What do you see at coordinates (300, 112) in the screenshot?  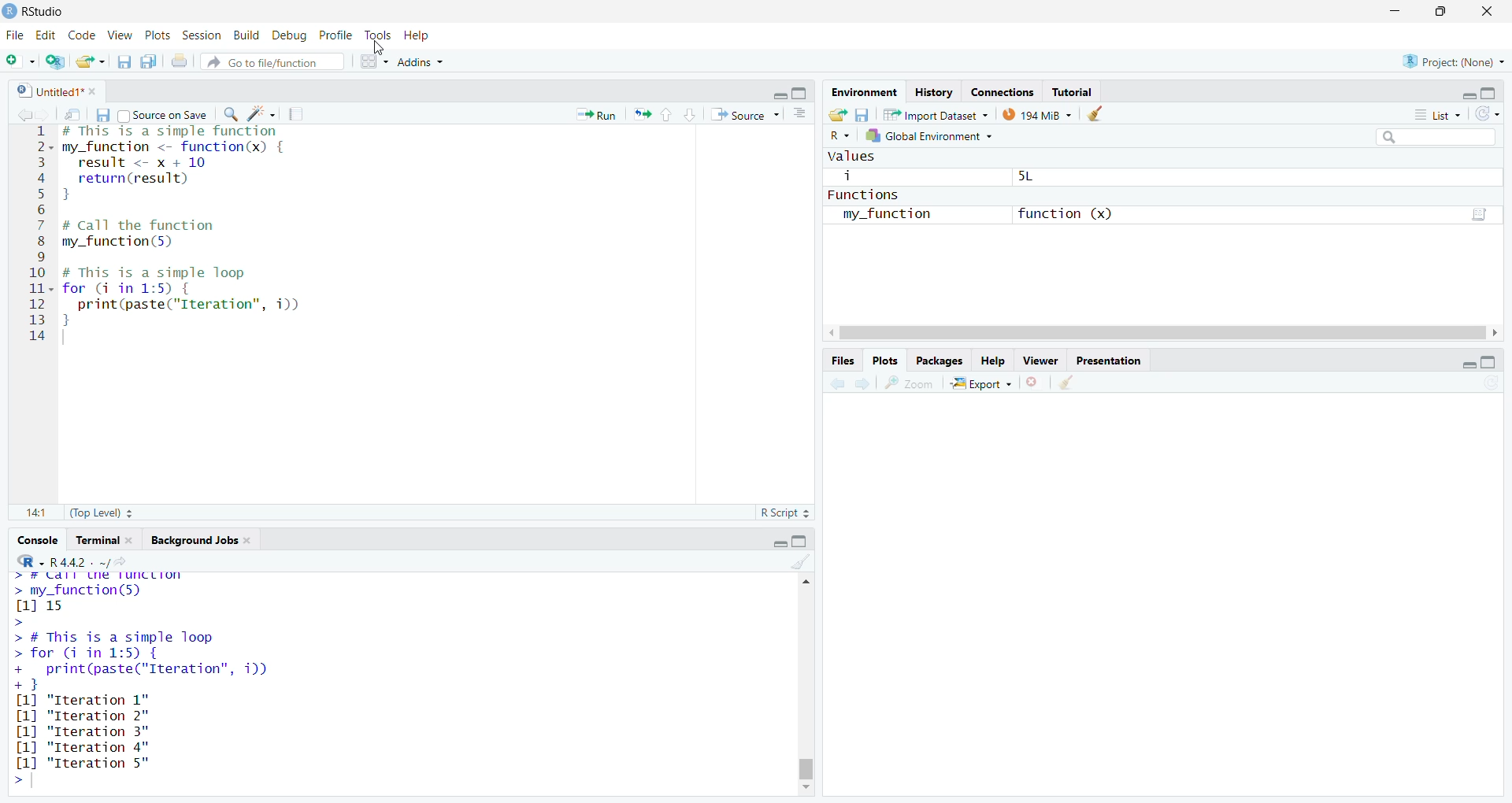 I see `compile report` at bounding box center [300, 112].